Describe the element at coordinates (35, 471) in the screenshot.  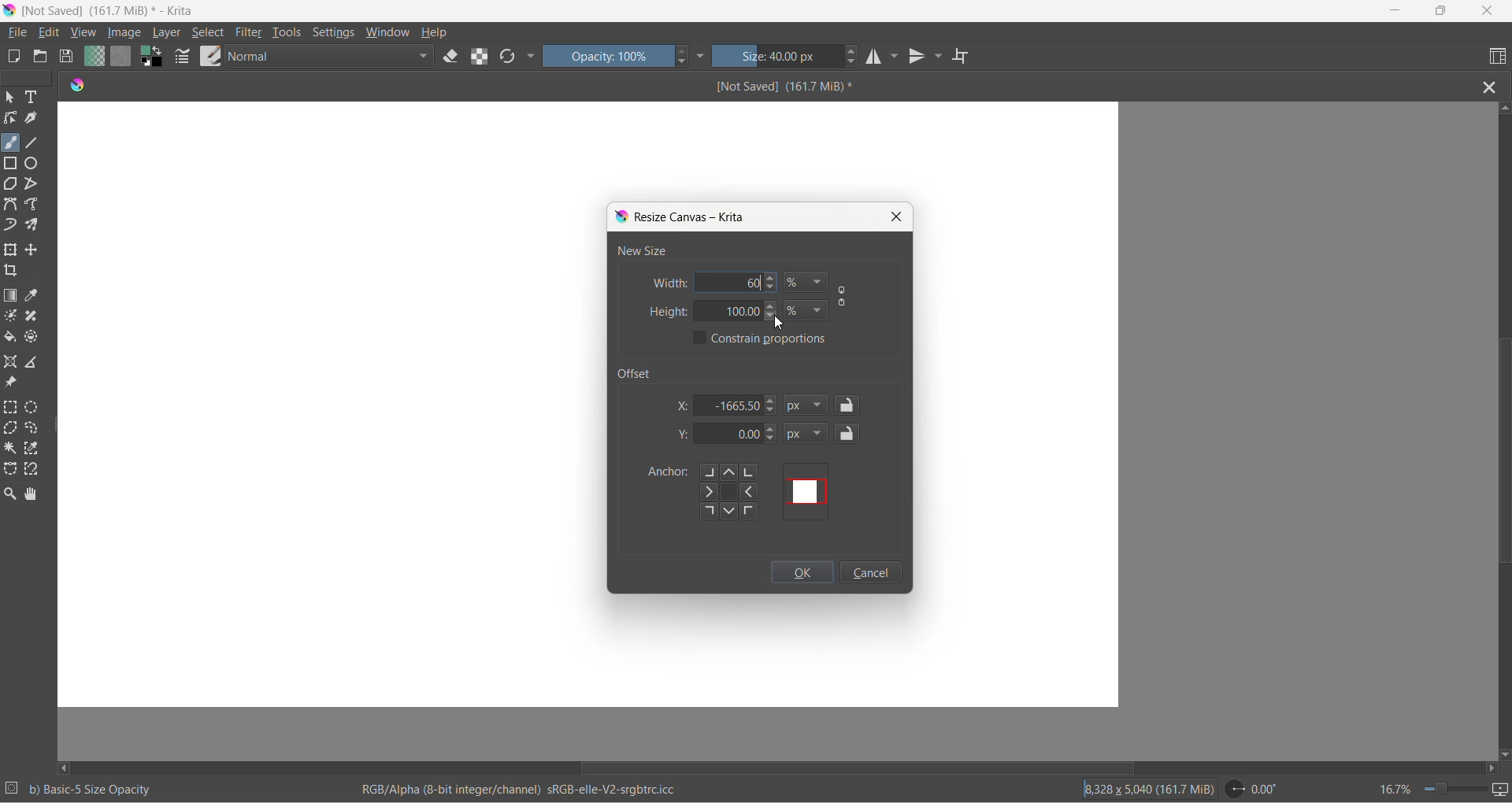
I see `magnetic curve selection tool` at that location.